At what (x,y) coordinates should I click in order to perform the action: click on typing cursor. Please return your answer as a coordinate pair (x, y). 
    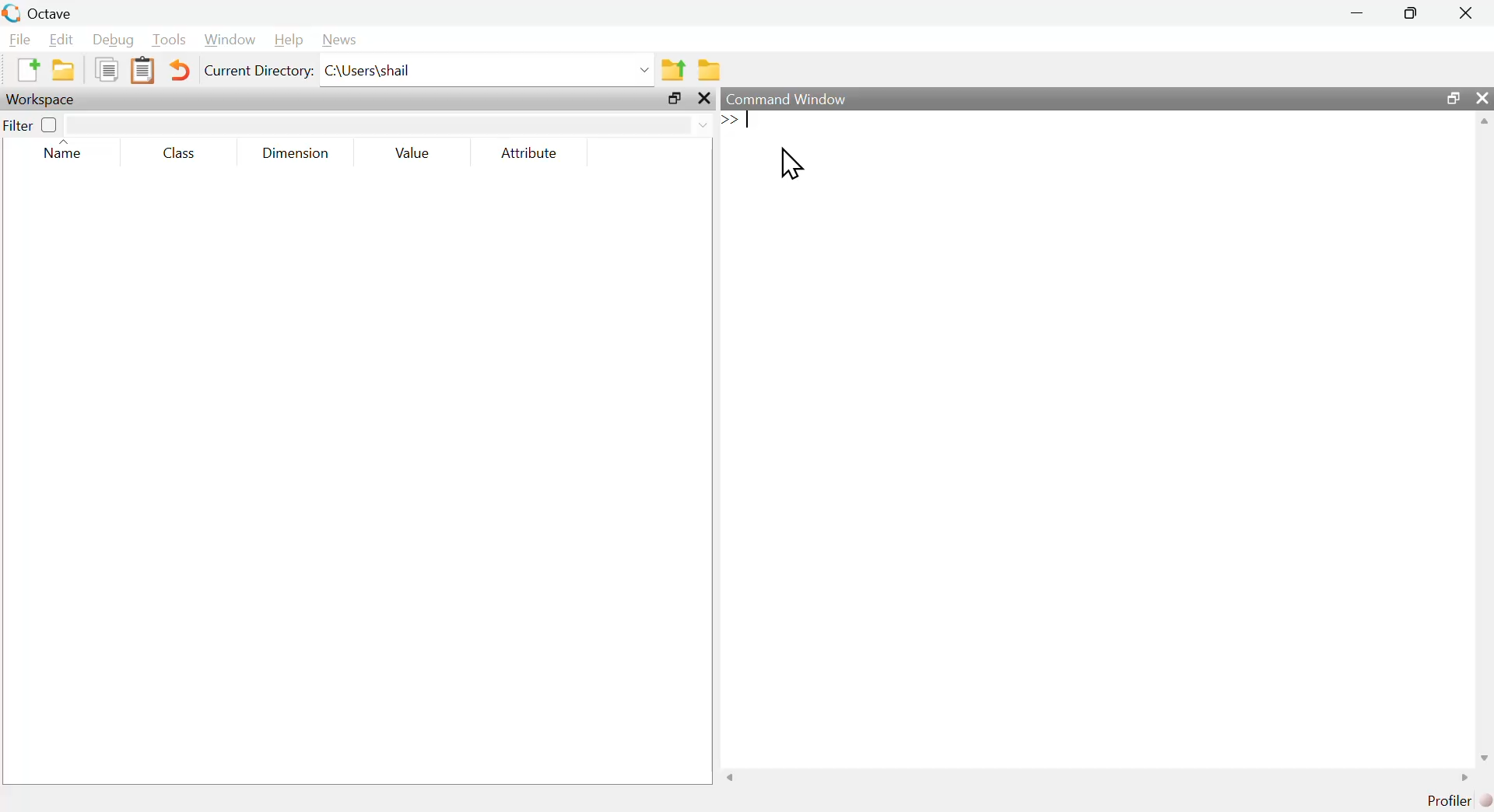
    Looking at the image, I should click on (742, 122).